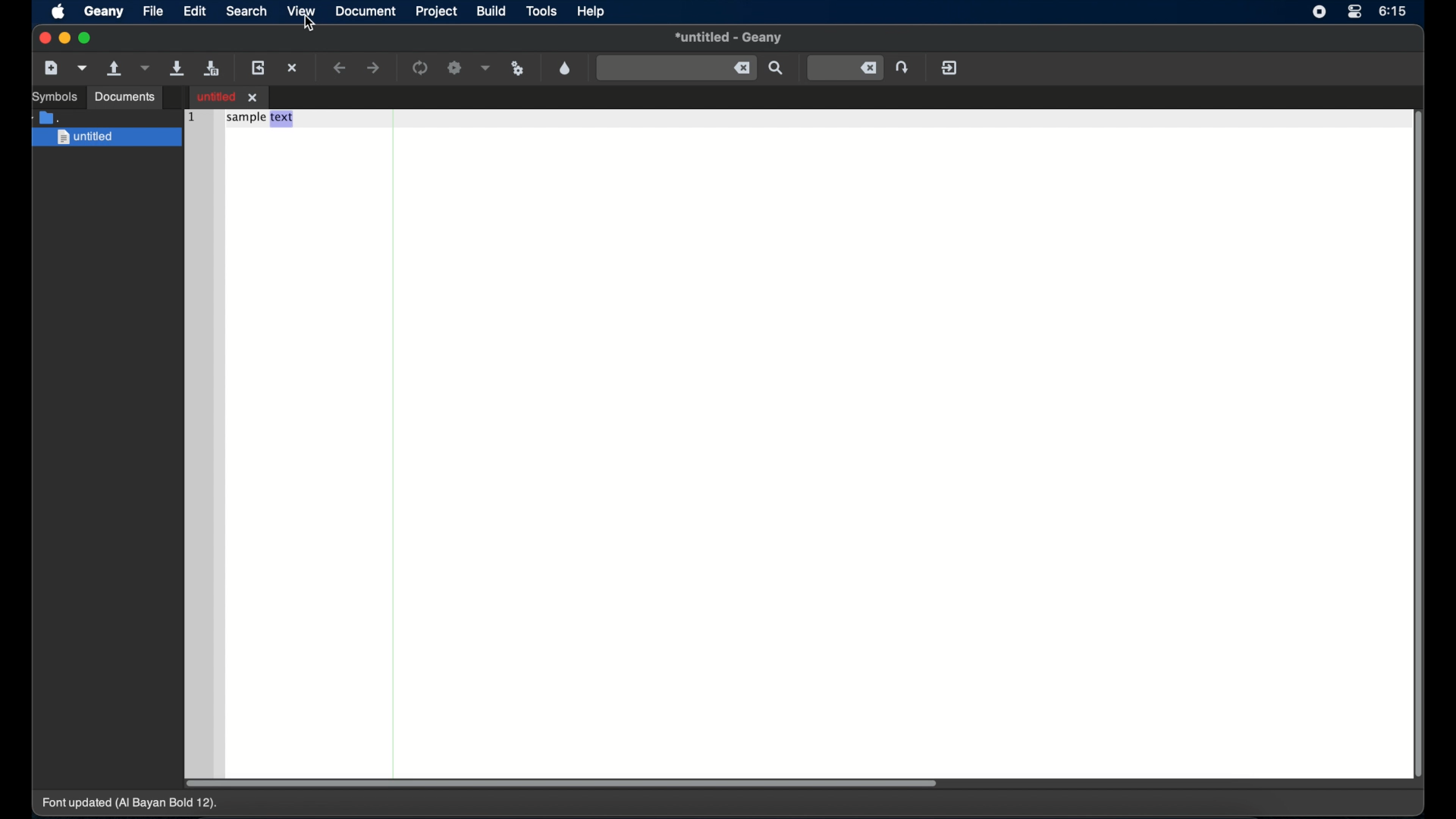 The width and height of the screenshot is (1456, 819). Describe the element at coordinates (52, 68) in the screenshot. I see `create a new file` at that location.